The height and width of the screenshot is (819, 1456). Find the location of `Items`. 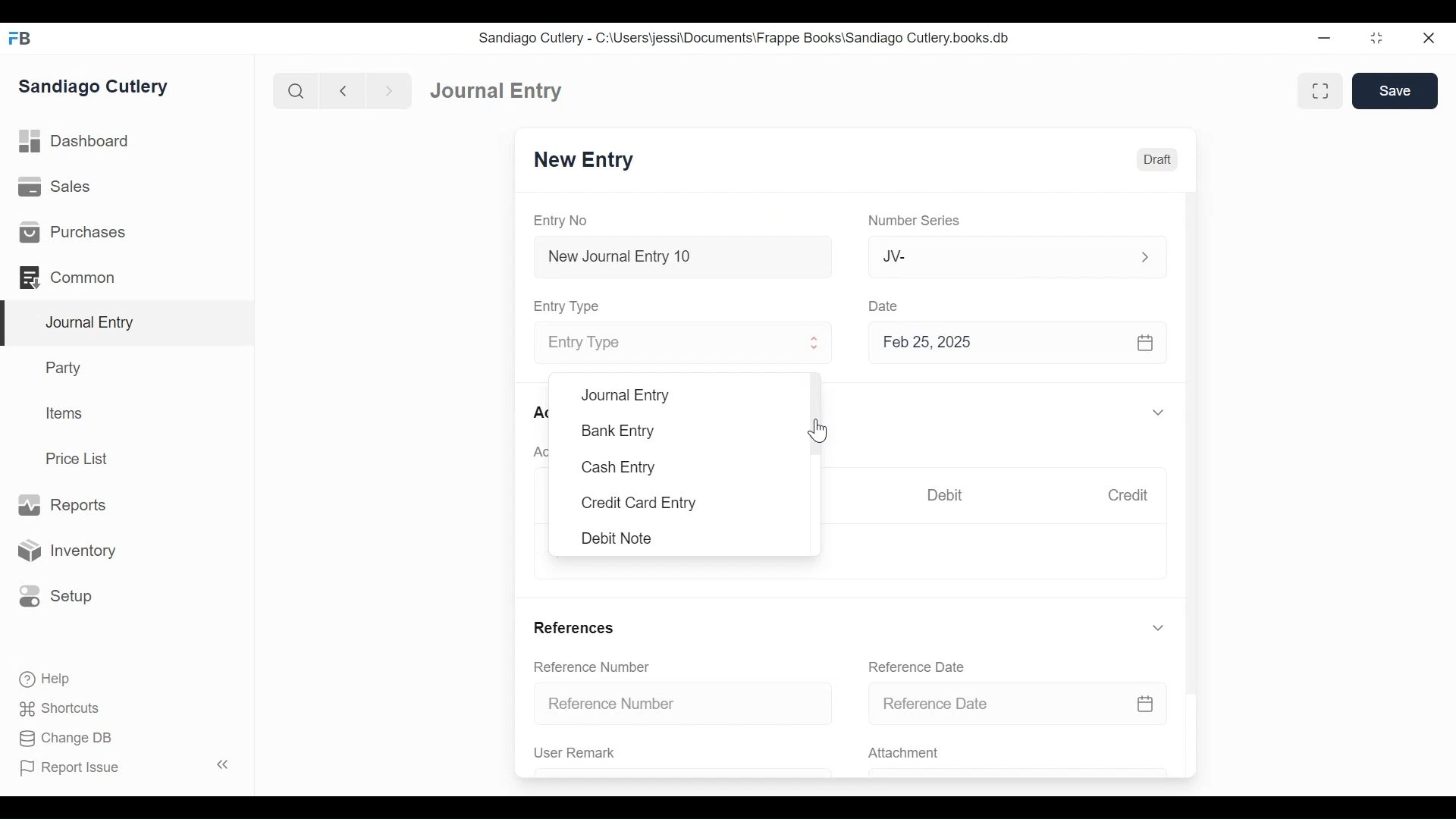

Items is located at coordinates (66, 415).